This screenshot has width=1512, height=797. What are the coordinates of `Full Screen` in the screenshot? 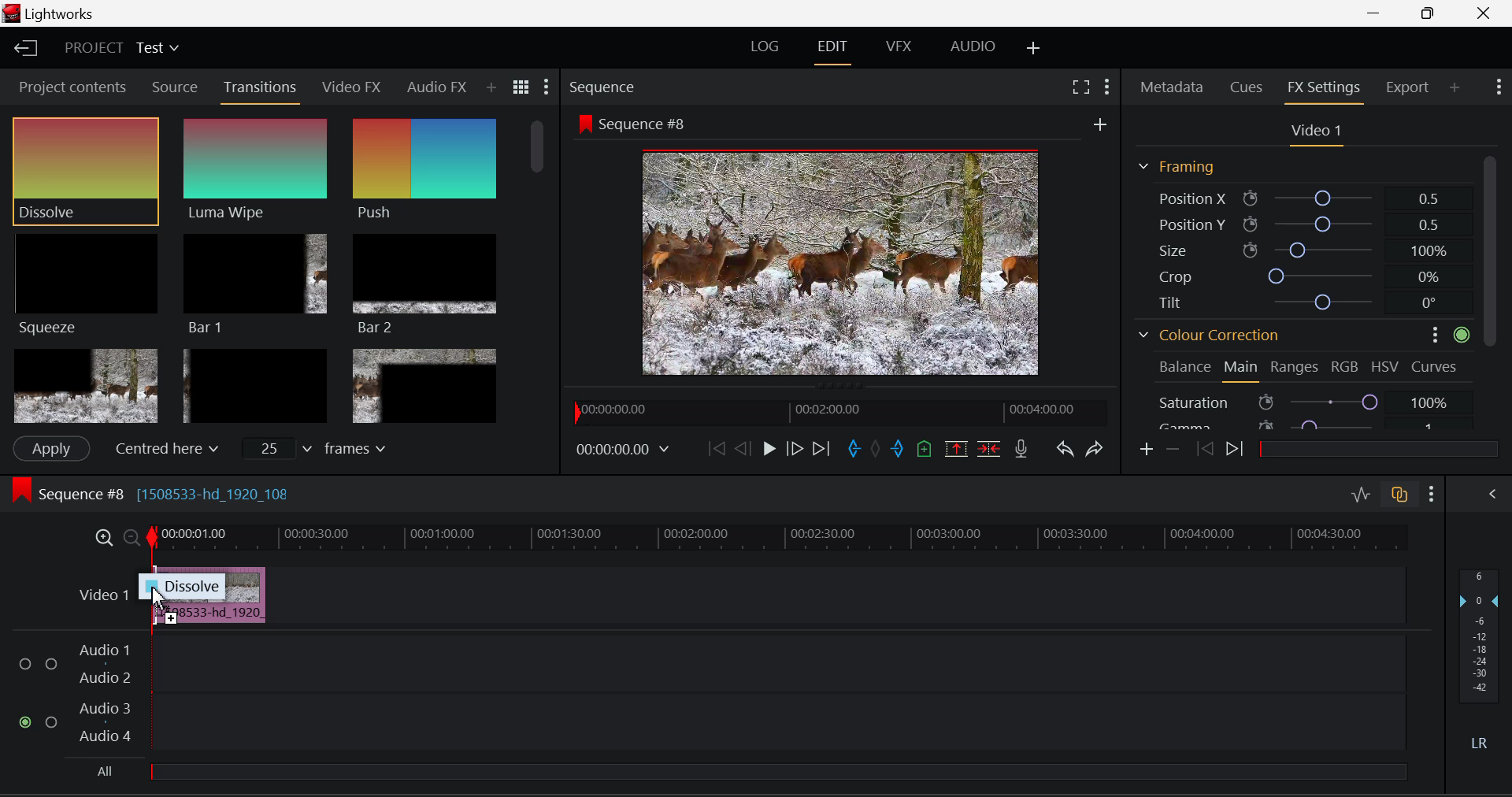 It's located at (1081, 88).